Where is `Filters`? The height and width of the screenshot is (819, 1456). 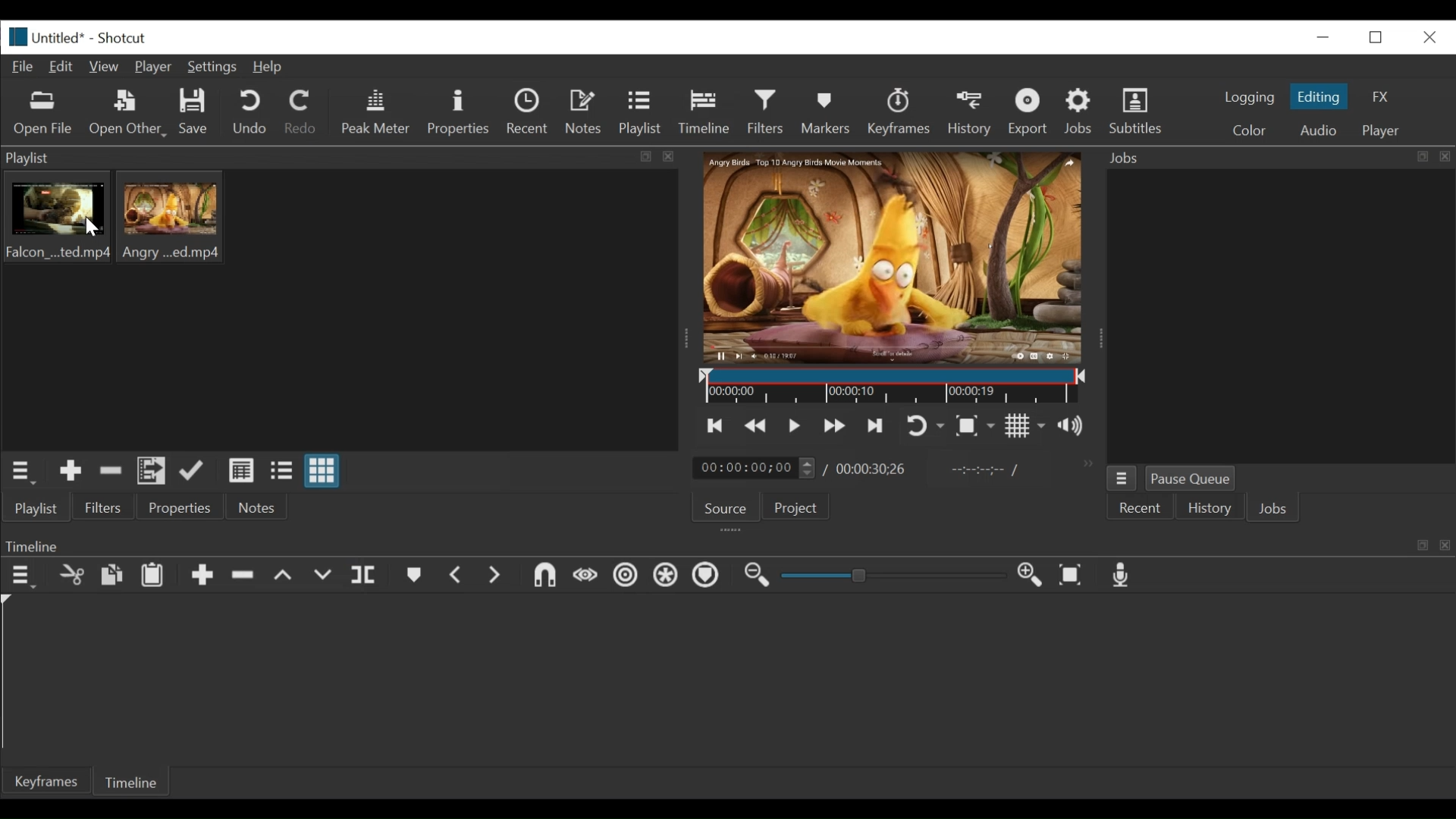 Filters is located at coordinates (104, 508).